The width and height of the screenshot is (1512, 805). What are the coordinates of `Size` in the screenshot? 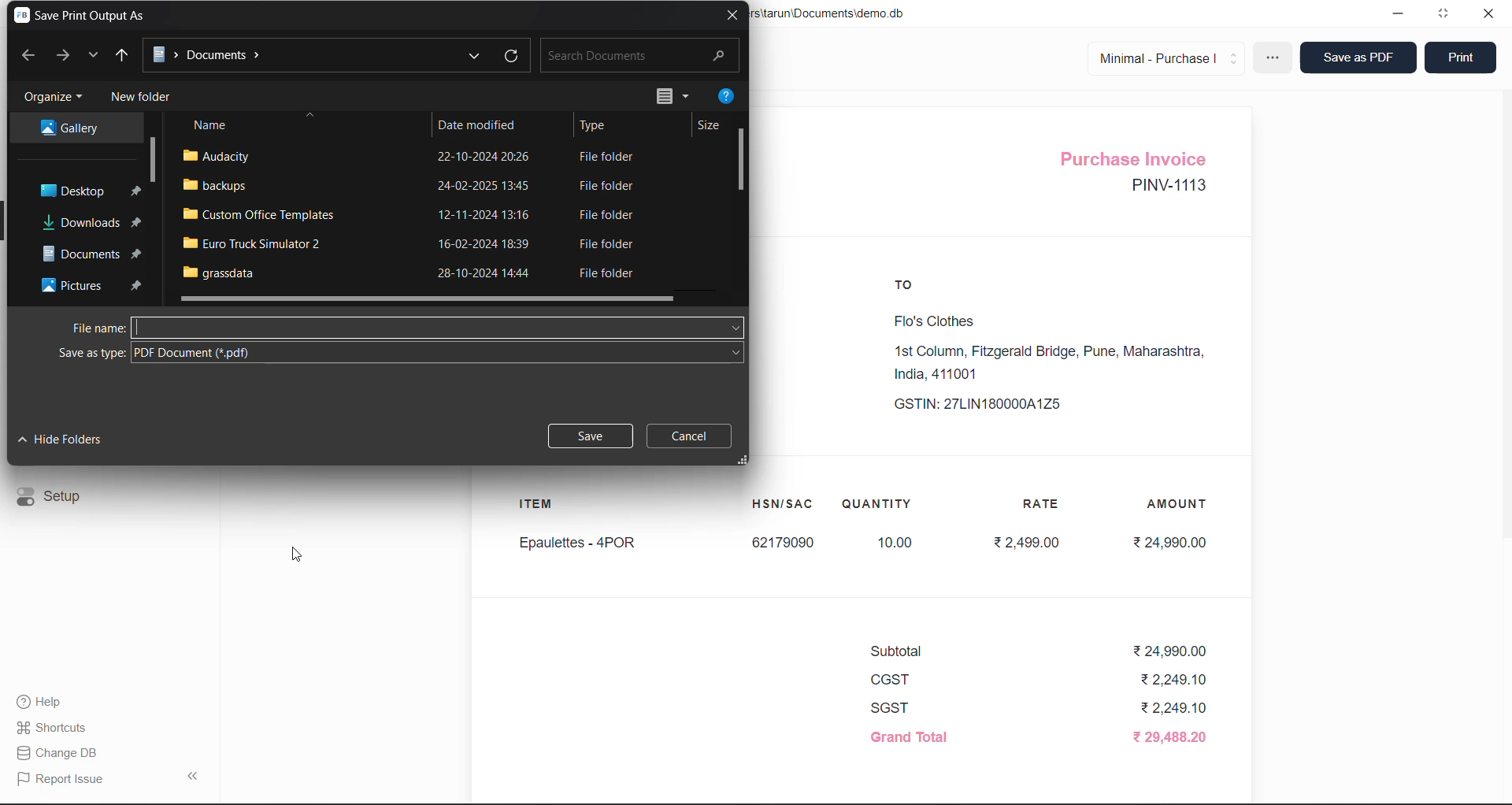 It's located at (713, 129).